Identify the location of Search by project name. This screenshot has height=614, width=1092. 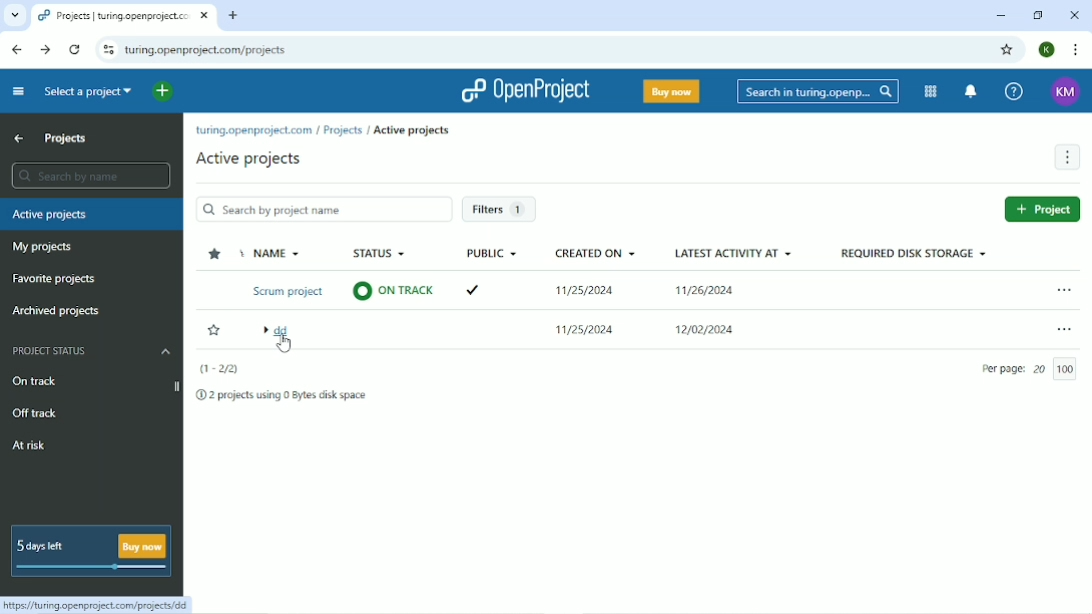
(325, 211).